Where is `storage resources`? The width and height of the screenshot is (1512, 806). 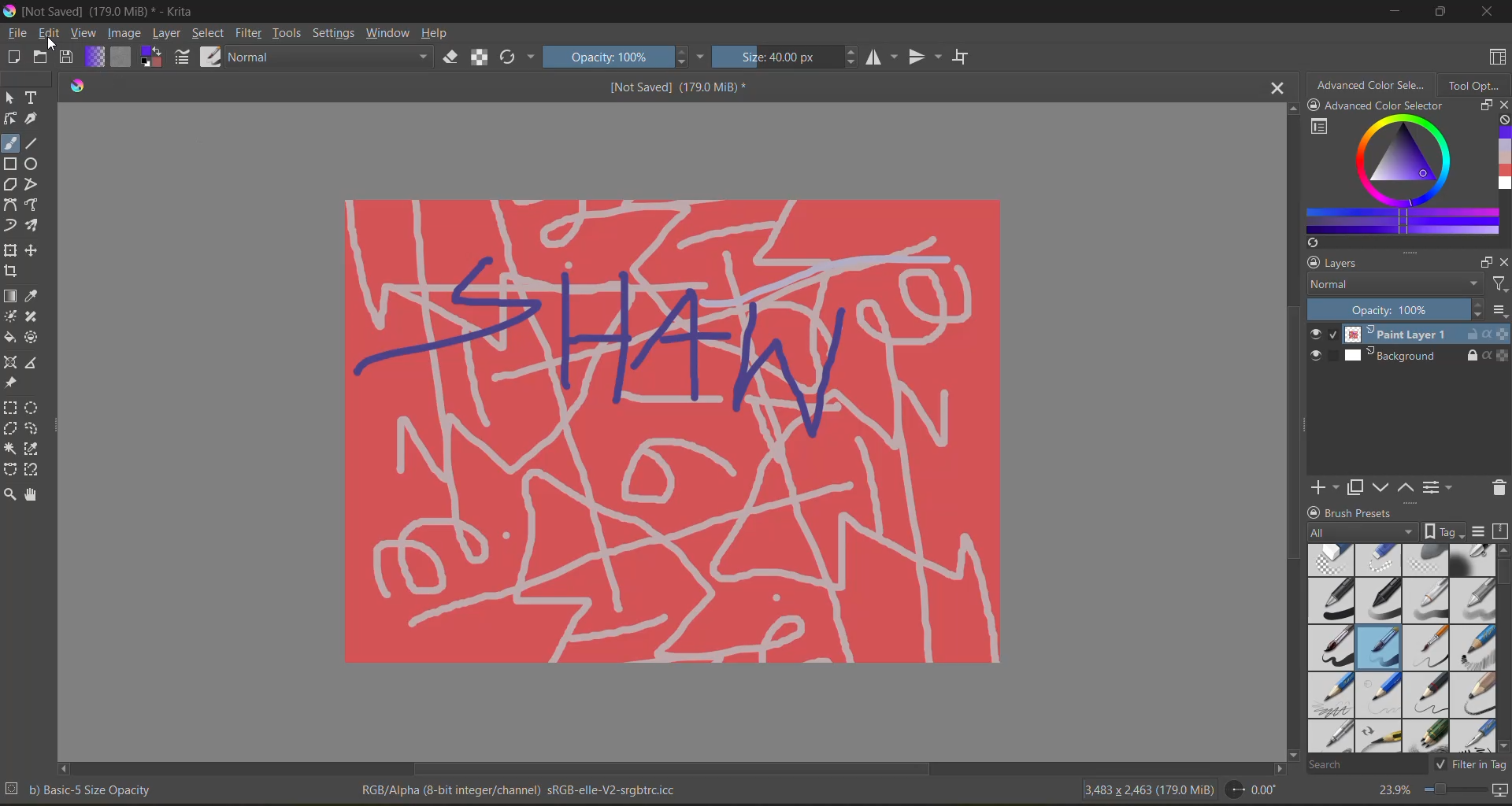 storage resources is located at coordinates (1501, 534).